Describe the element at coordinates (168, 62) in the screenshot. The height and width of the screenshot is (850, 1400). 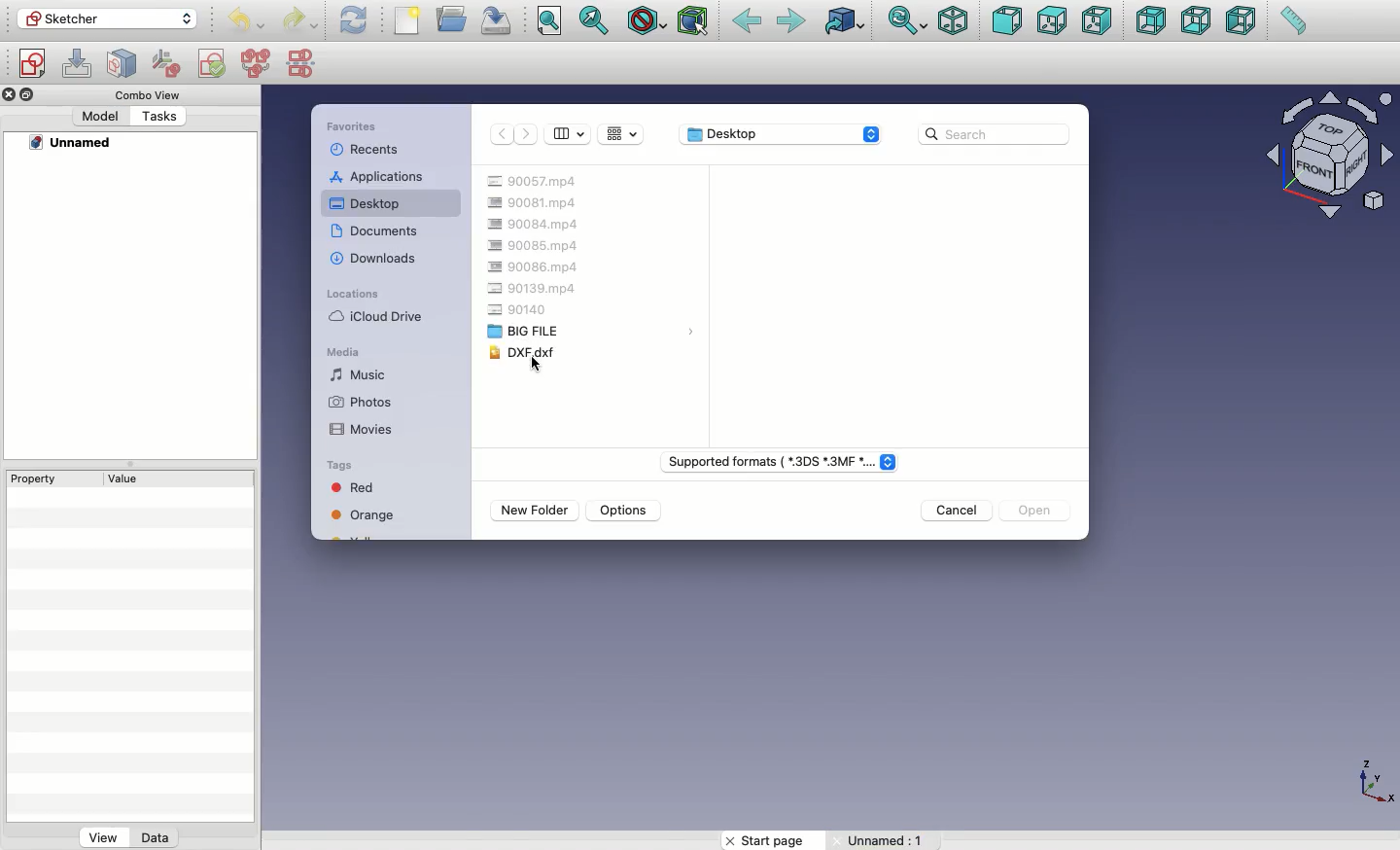
I see `Reorient sketch` at that location.